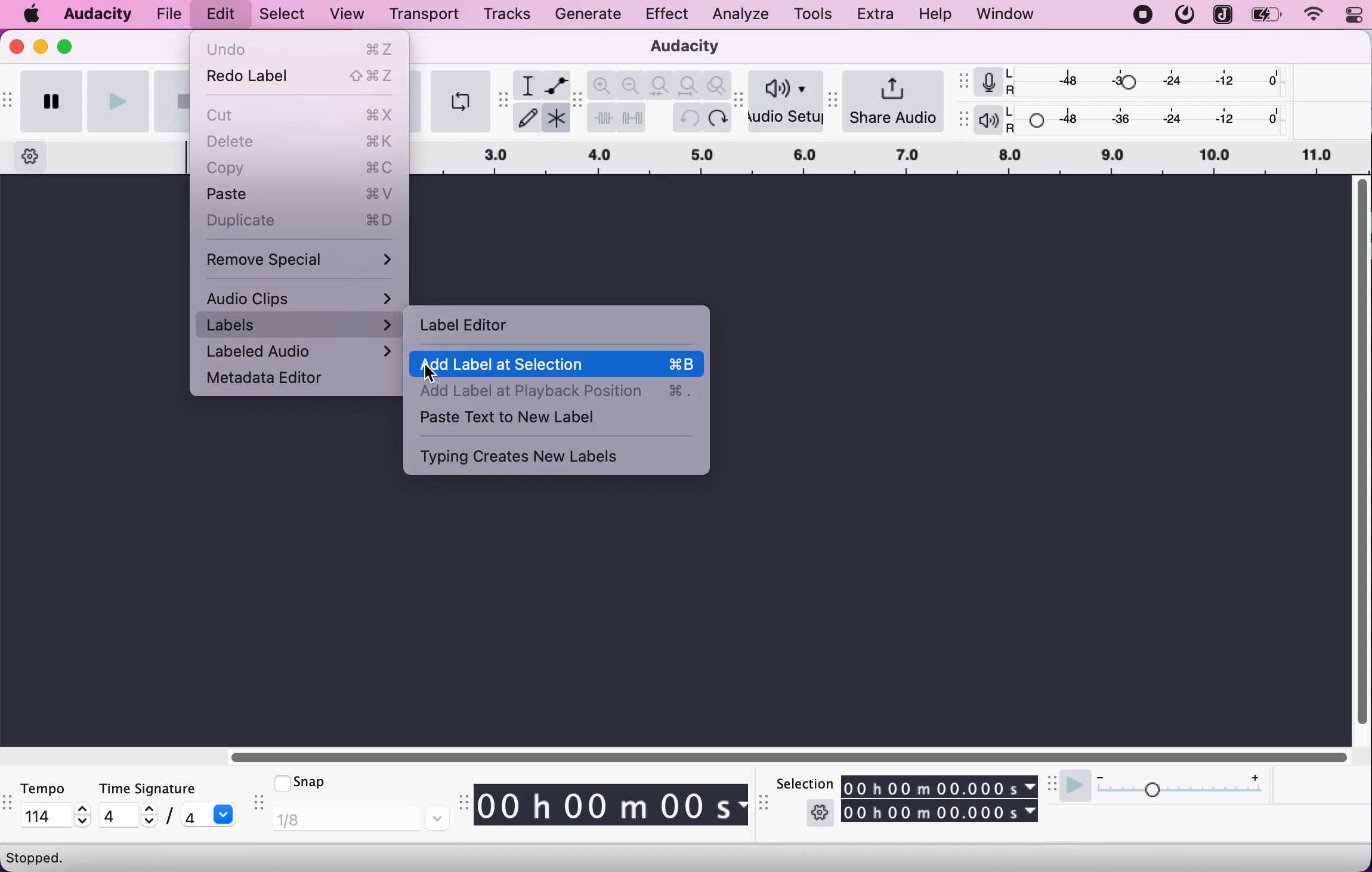 Image resolution: width=1372 pixels, height=872 pixels. What do you see at coordinates (937, 15) in the screenshot?
I see `help` at bounding box center [937, 15].